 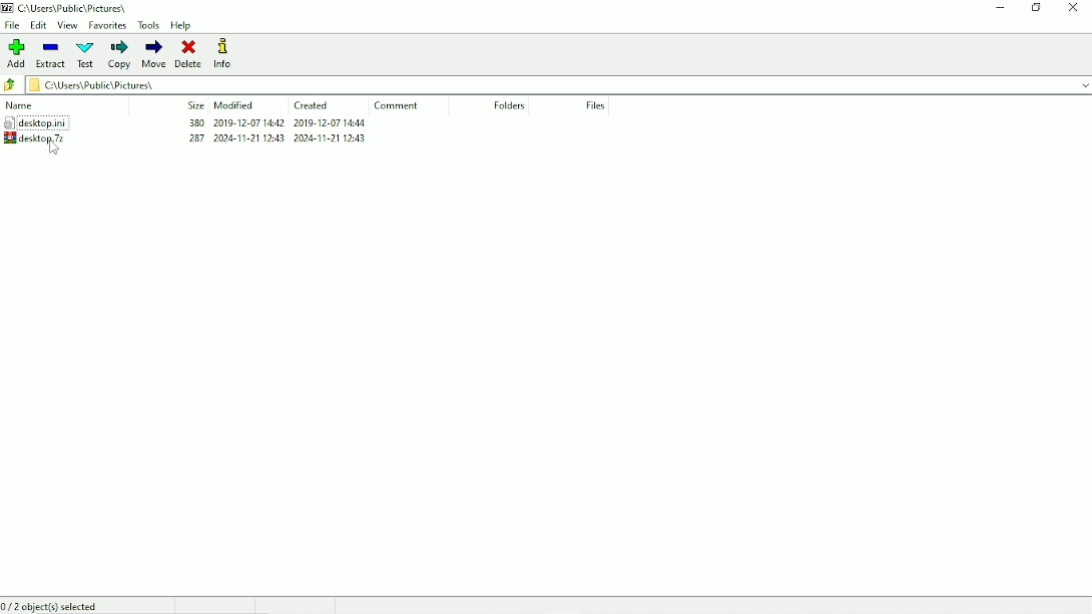 I want to click on Modified, so click(x=235, y=105).